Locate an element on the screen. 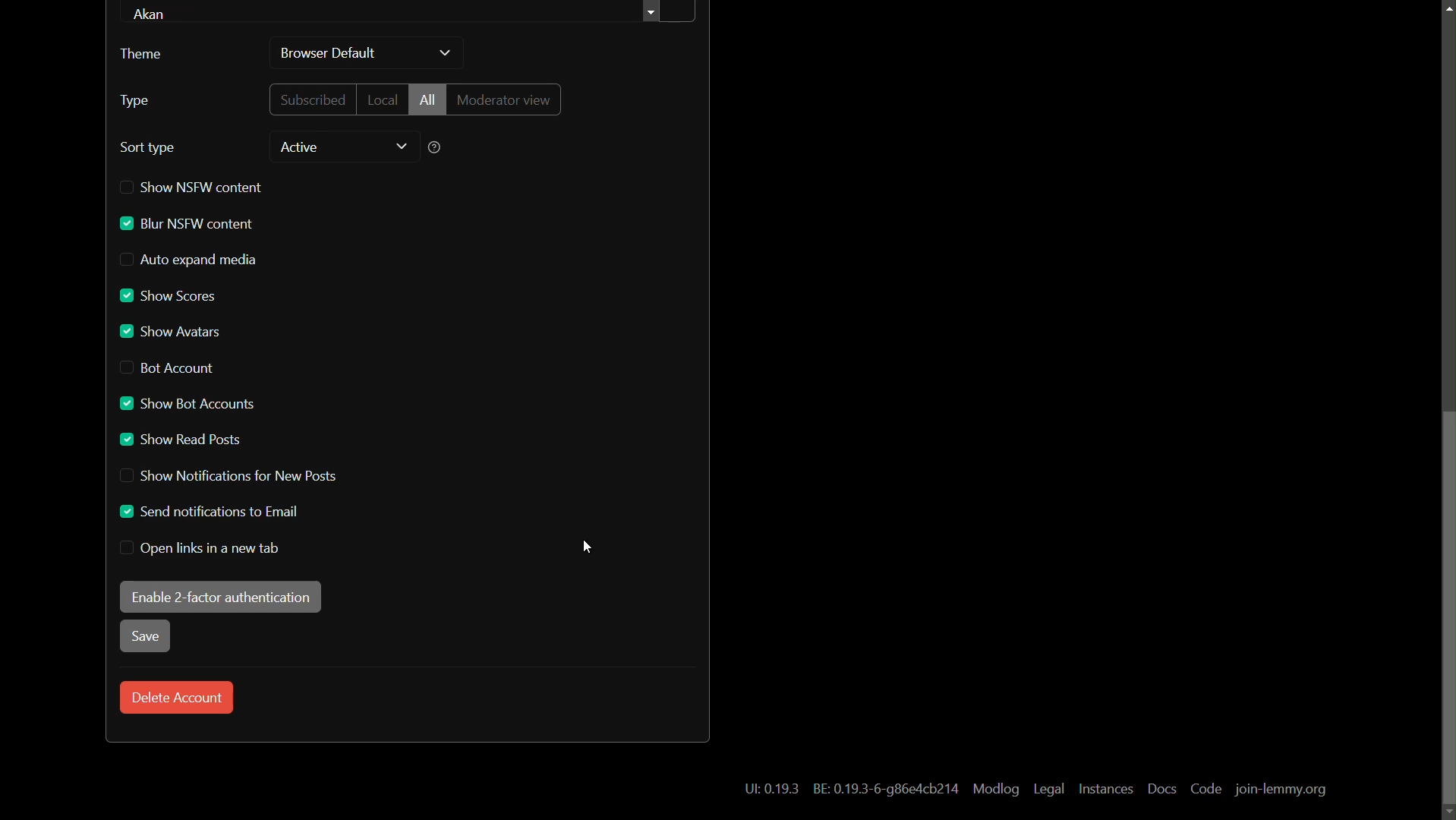 Image resolution: width=1456 pixels, height=820 pixels. explore is located at coordinates (654, 14).